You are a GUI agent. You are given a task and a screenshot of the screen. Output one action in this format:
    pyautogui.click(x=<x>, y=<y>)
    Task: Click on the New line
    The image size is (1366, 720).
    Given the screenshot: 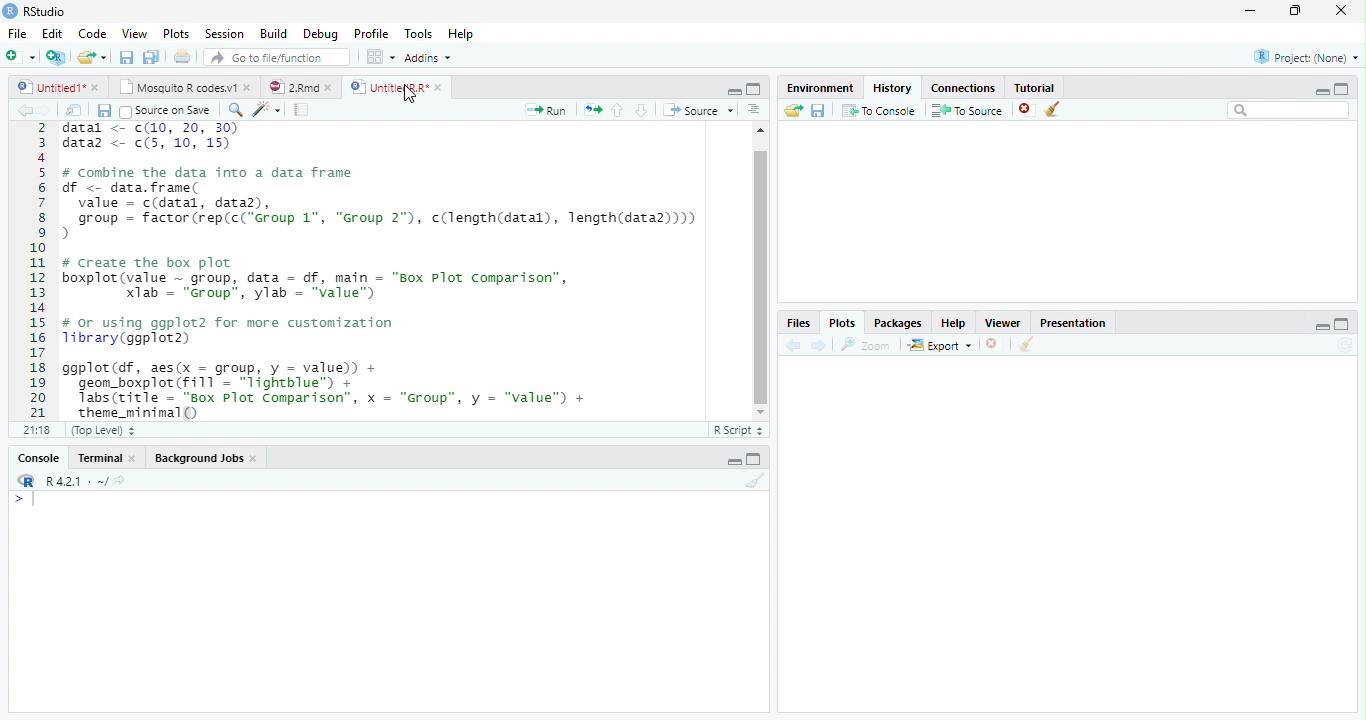 What is the action you would take?
    pyautogui.click(x=24, y=500)
    